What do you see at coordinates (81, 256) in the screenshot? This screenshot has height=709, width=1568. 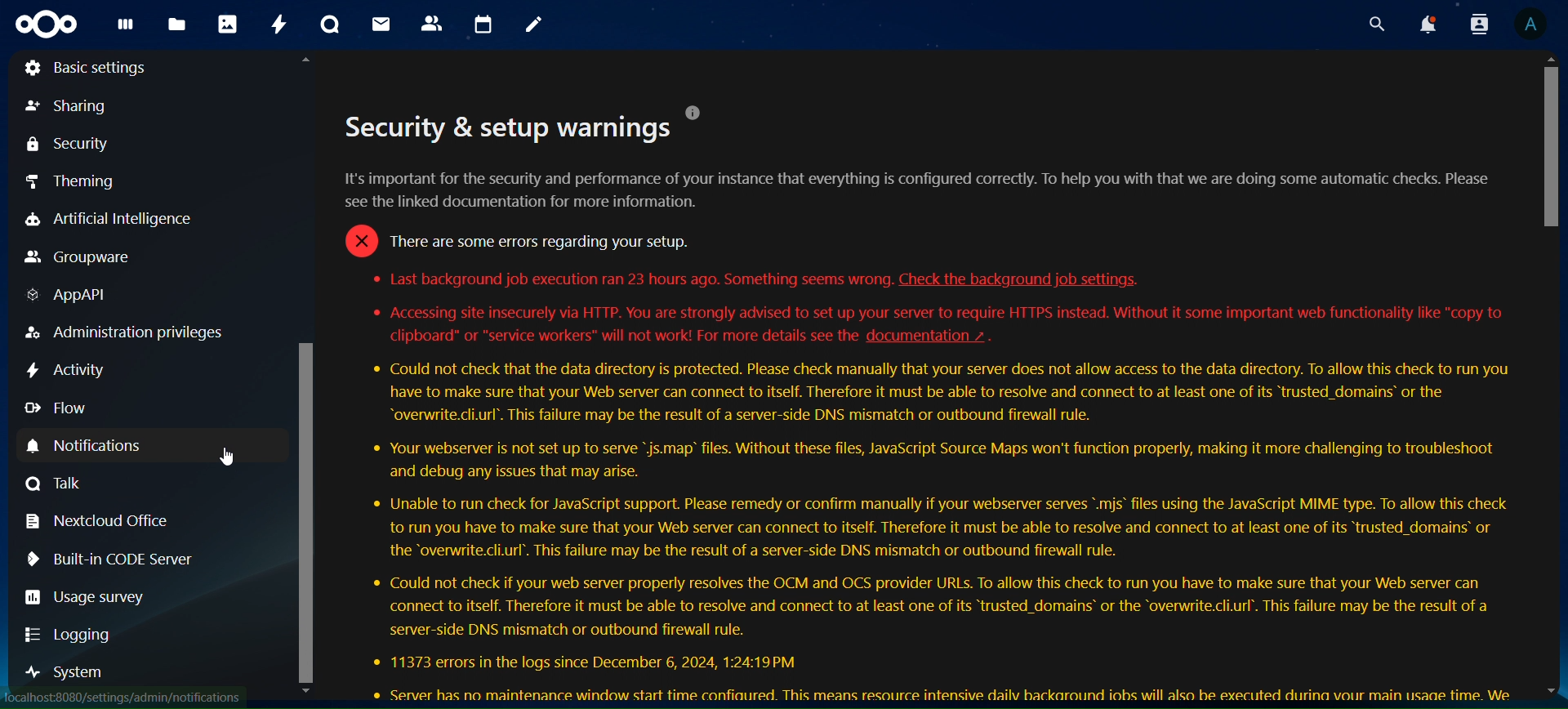 I see `groupware` at bounding box center [81, 256].